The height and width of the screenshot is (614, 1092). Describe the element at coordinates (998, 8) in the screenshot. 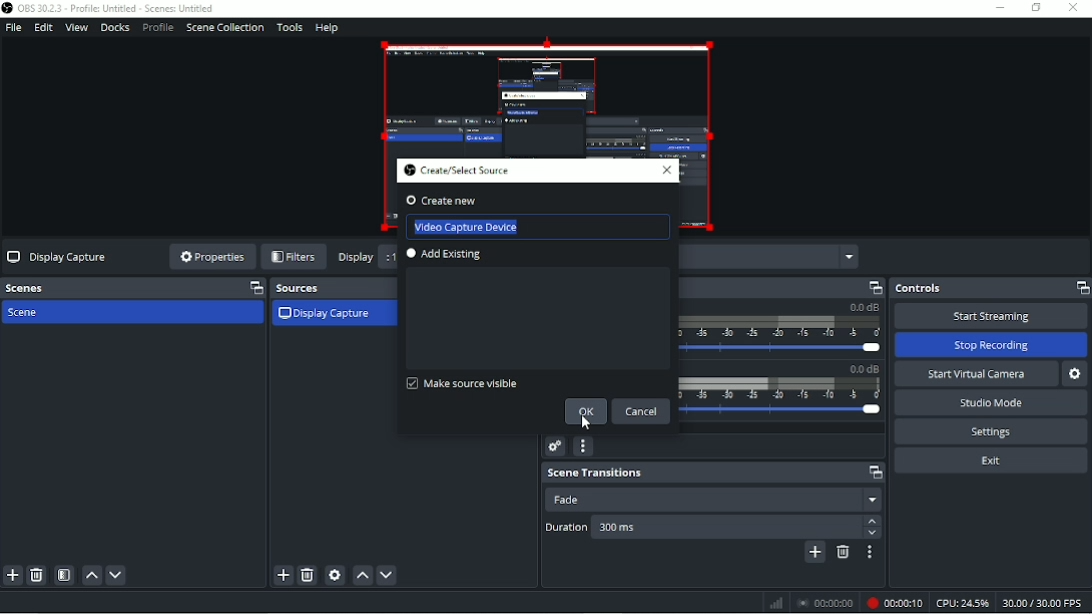

I see `Minimize` at that location.